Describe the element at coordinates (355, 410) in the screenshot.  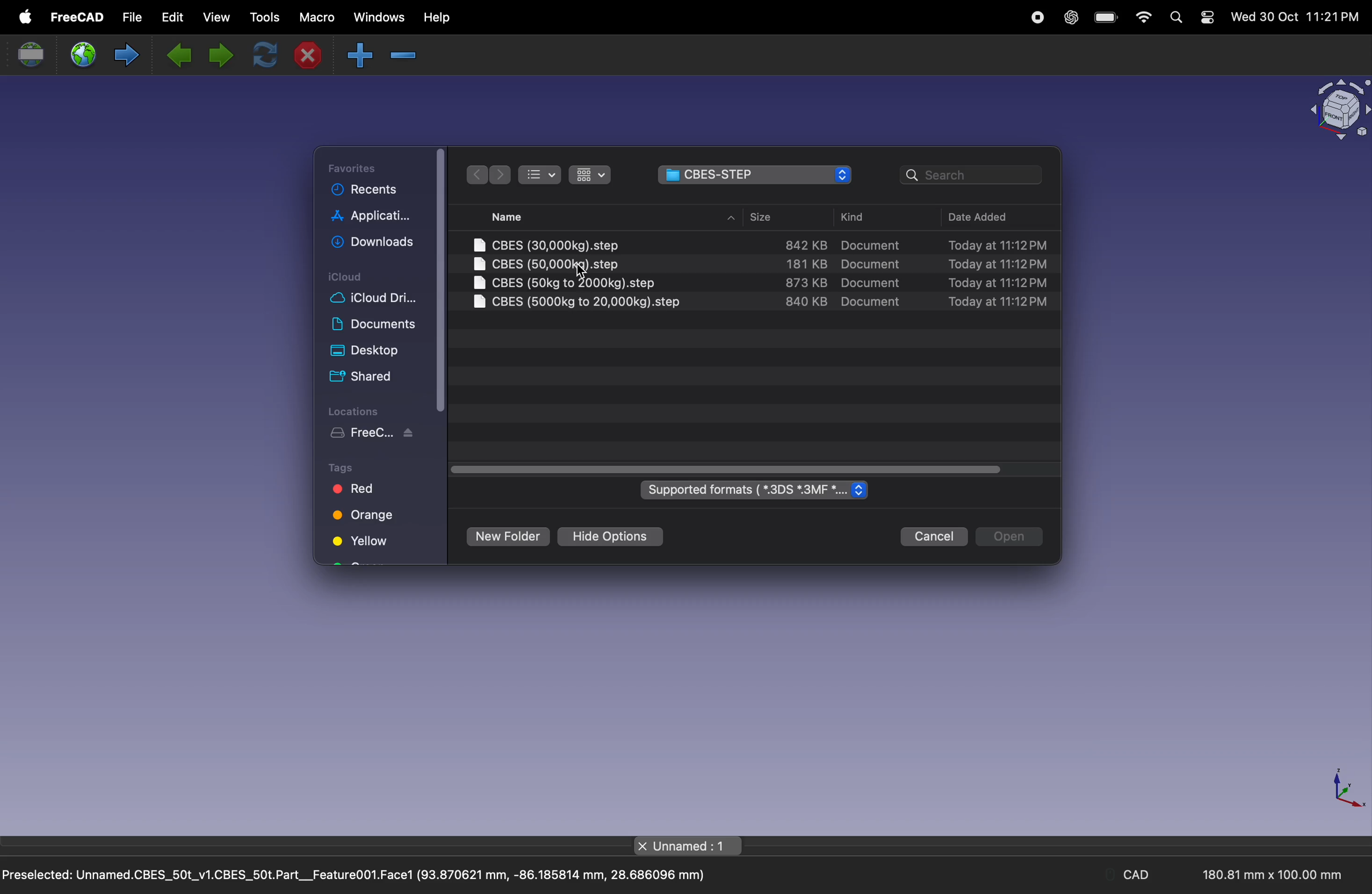
I see `Locations` at that location.